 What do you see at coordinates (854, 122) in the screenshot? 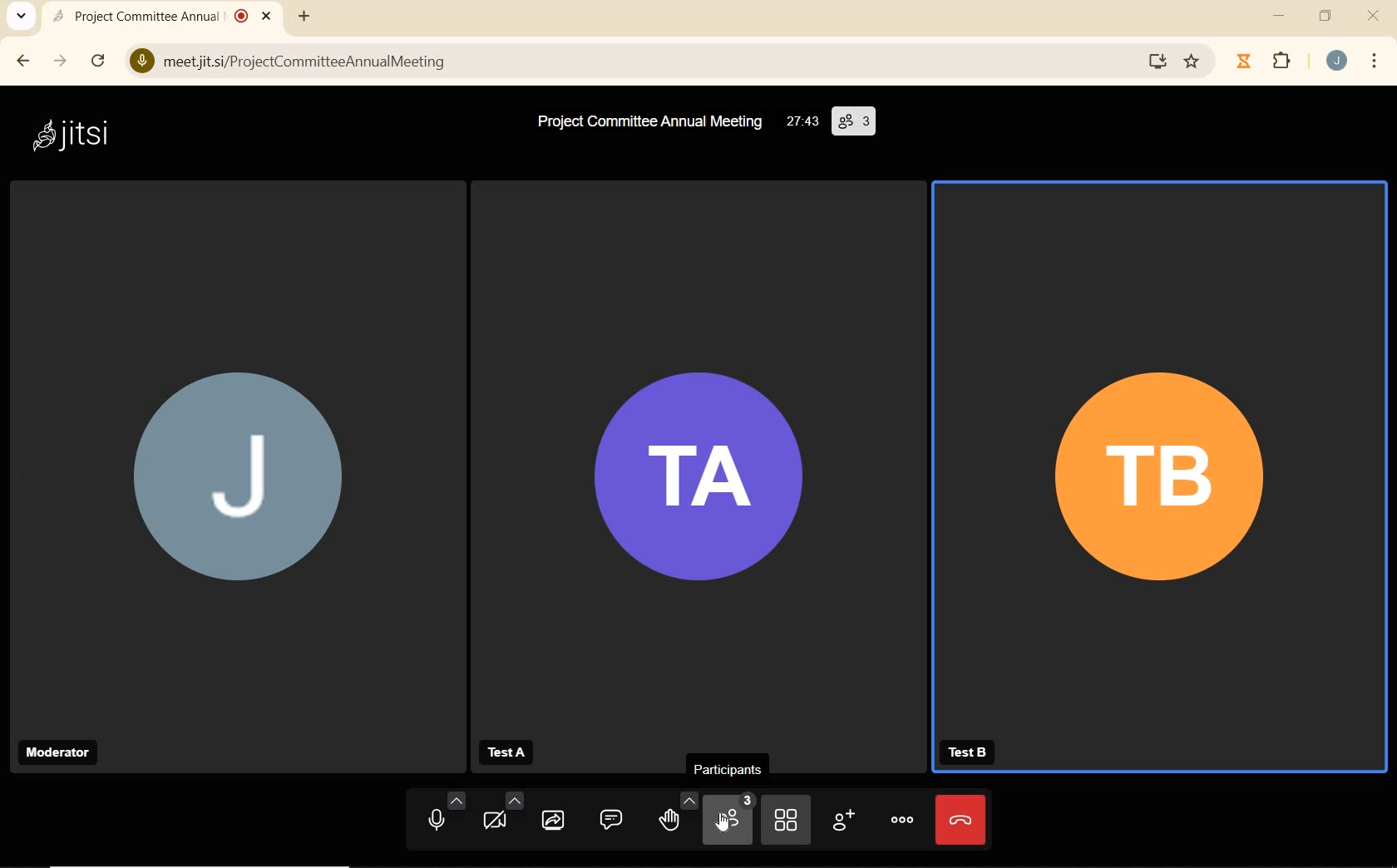
I see `NUMBER OF PARTICIPANTS` at bounding box center [854, 122].